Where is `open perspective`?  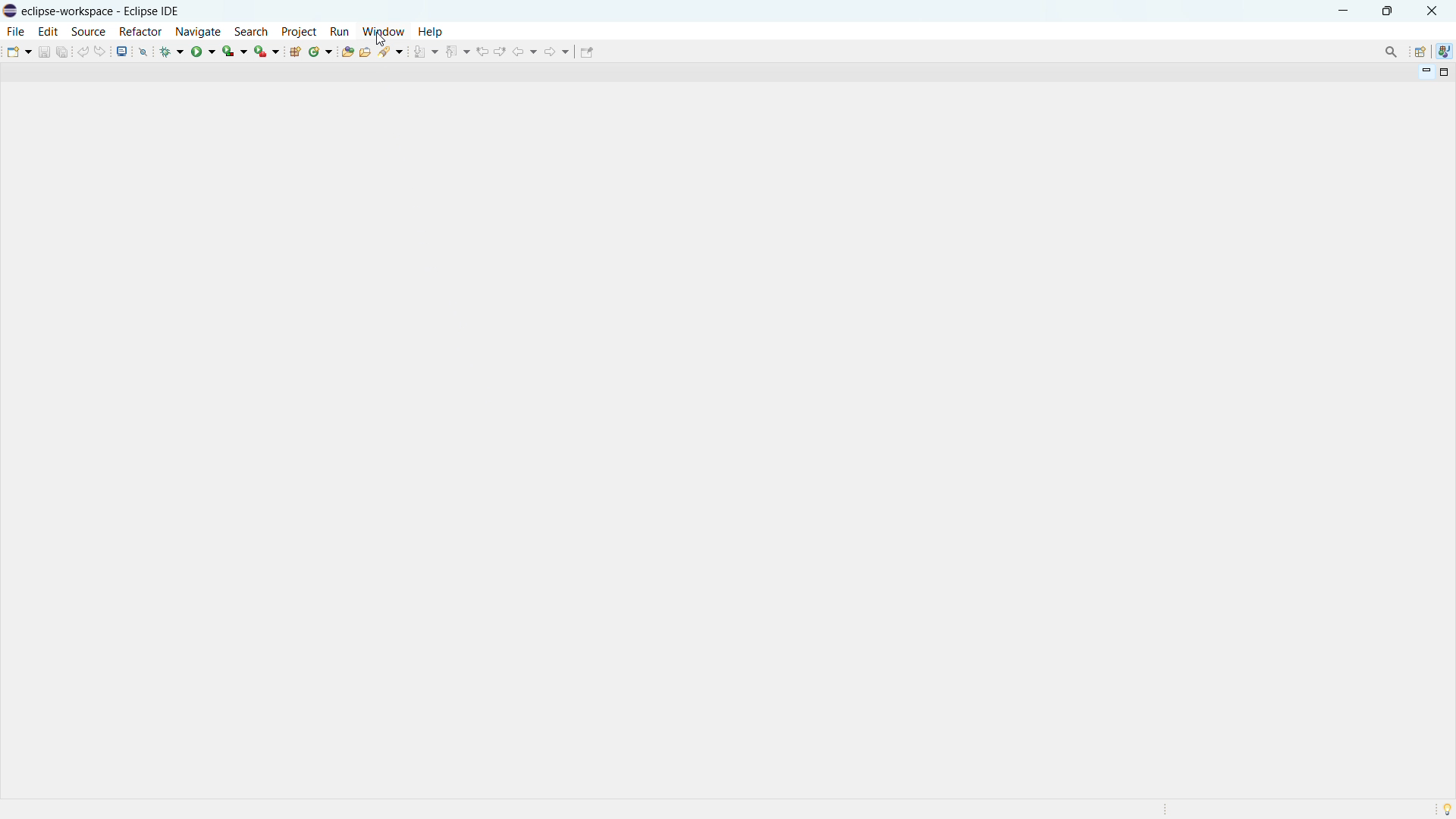 open perspective is located at coordinates (1420, 52).